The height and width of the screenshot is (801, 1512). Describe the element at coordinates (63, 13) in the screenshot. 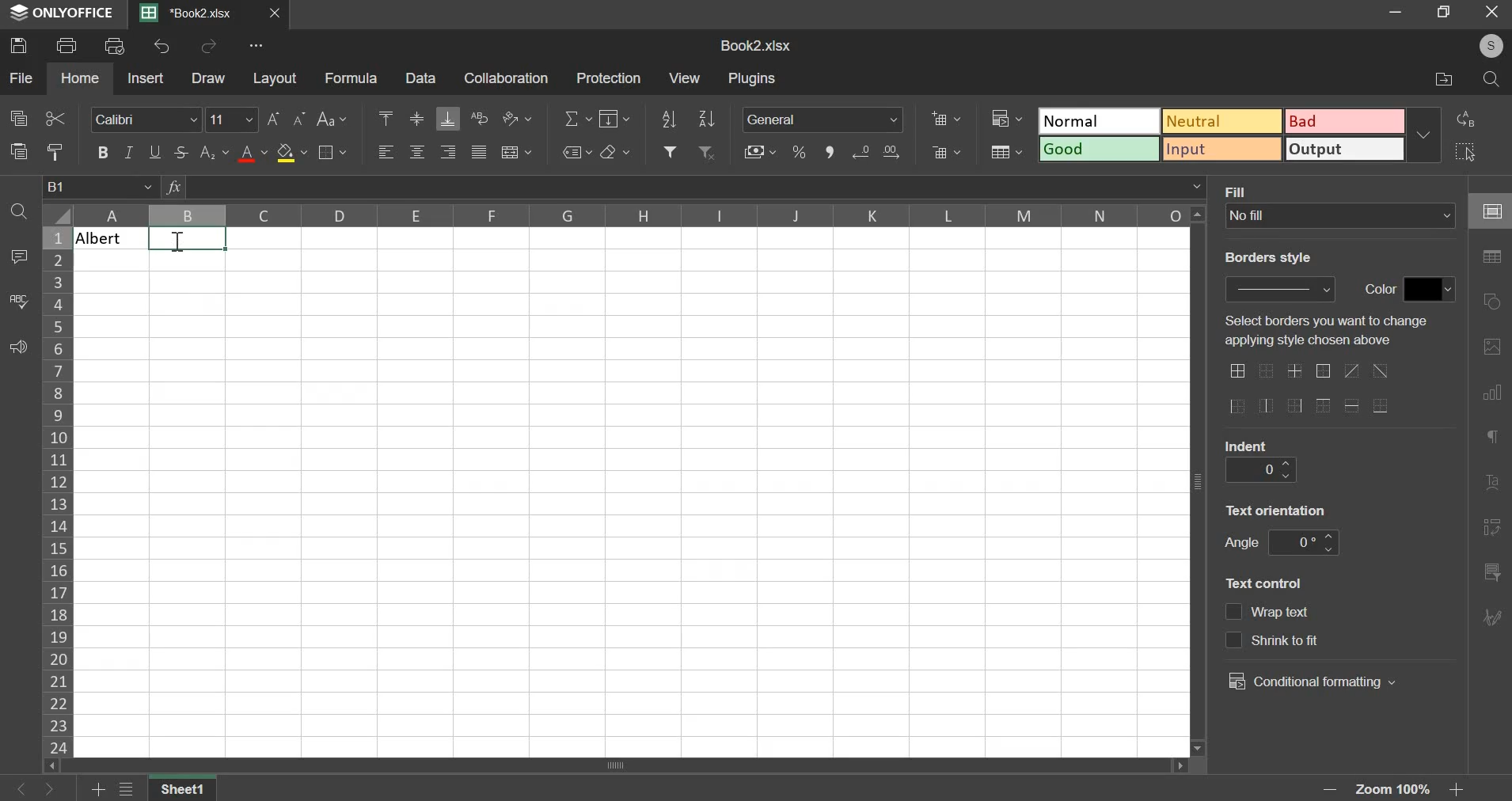

I see `ONLYOFFICE logo` at that location.